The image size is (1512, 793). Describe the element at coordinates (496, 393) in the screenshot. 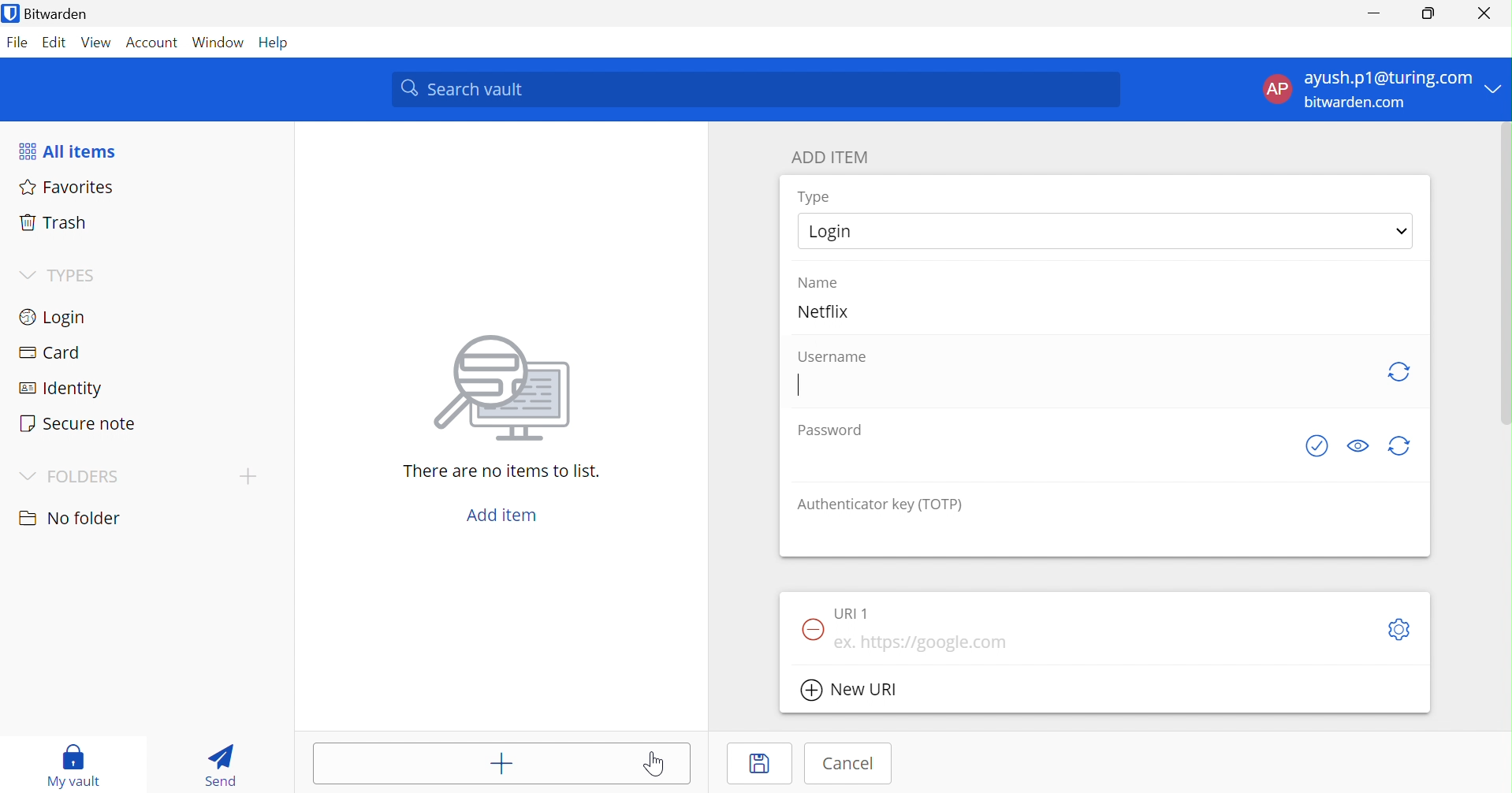

I see `image` at that location.